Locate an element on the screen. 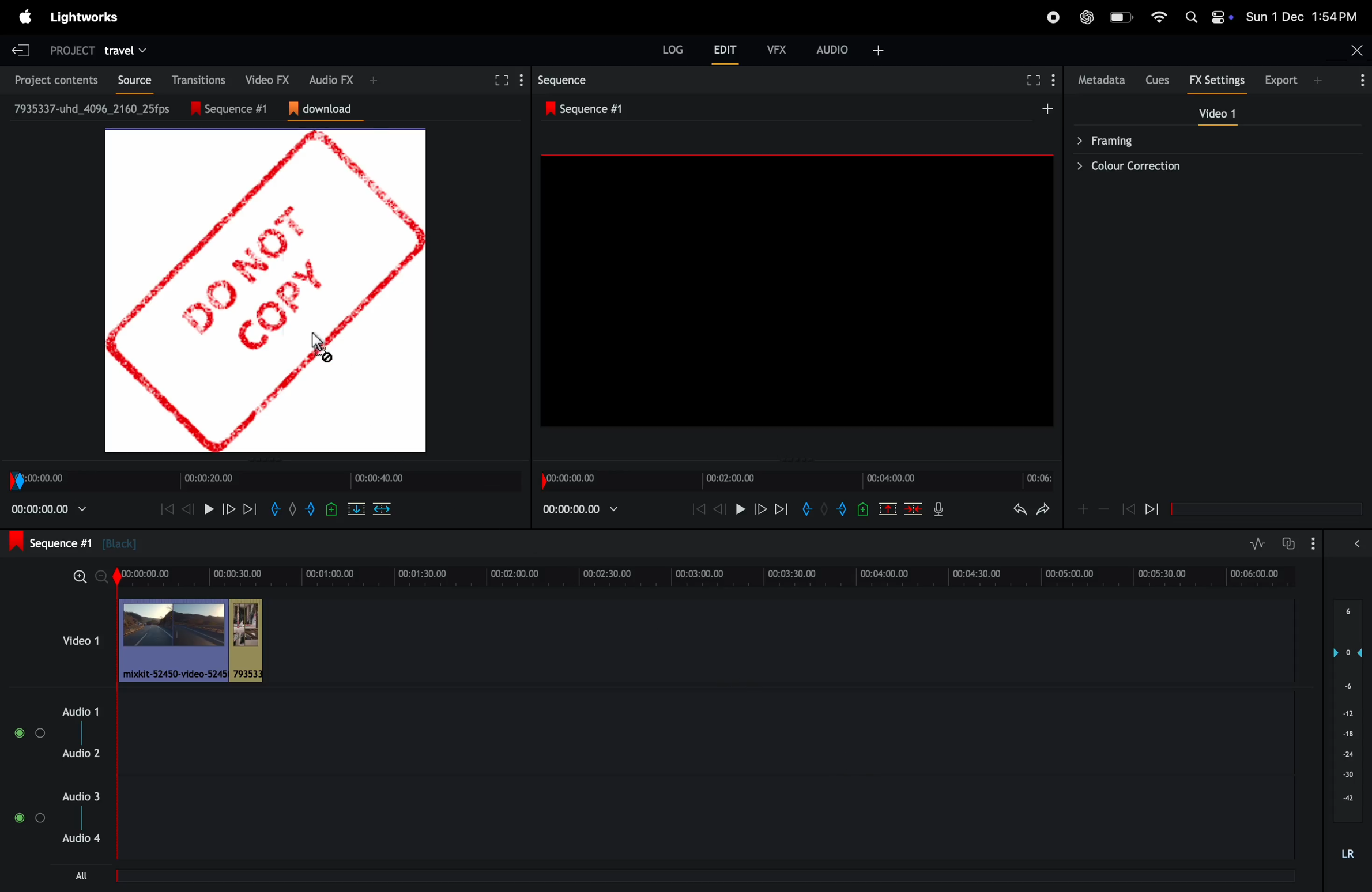  Search is located at coordinates (1191, 17).